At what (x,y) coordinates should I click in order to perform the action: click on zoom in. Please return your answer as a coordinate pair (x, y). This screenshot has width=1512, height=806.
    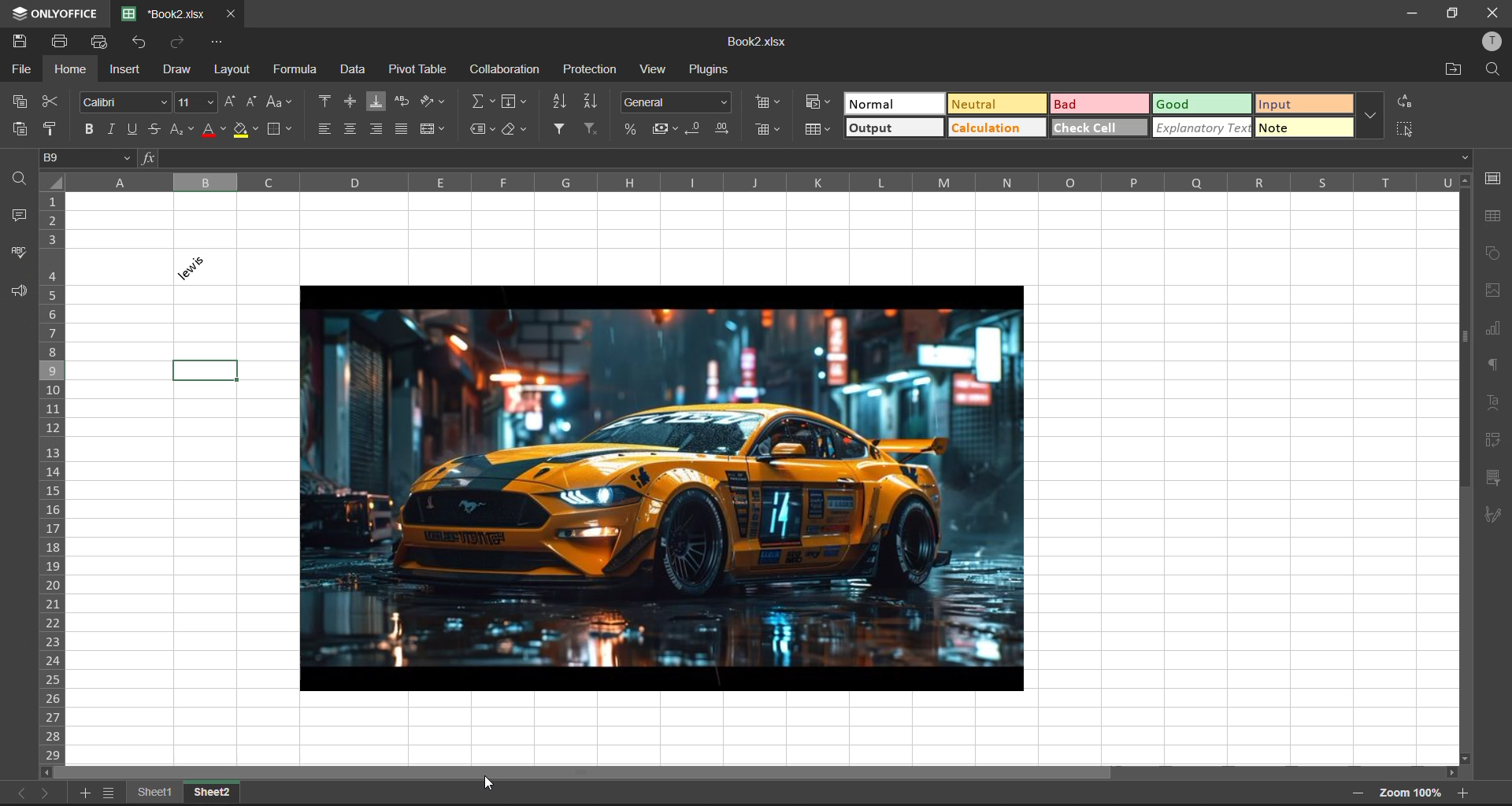
    Looking at the image, I should click on (1461, 795).